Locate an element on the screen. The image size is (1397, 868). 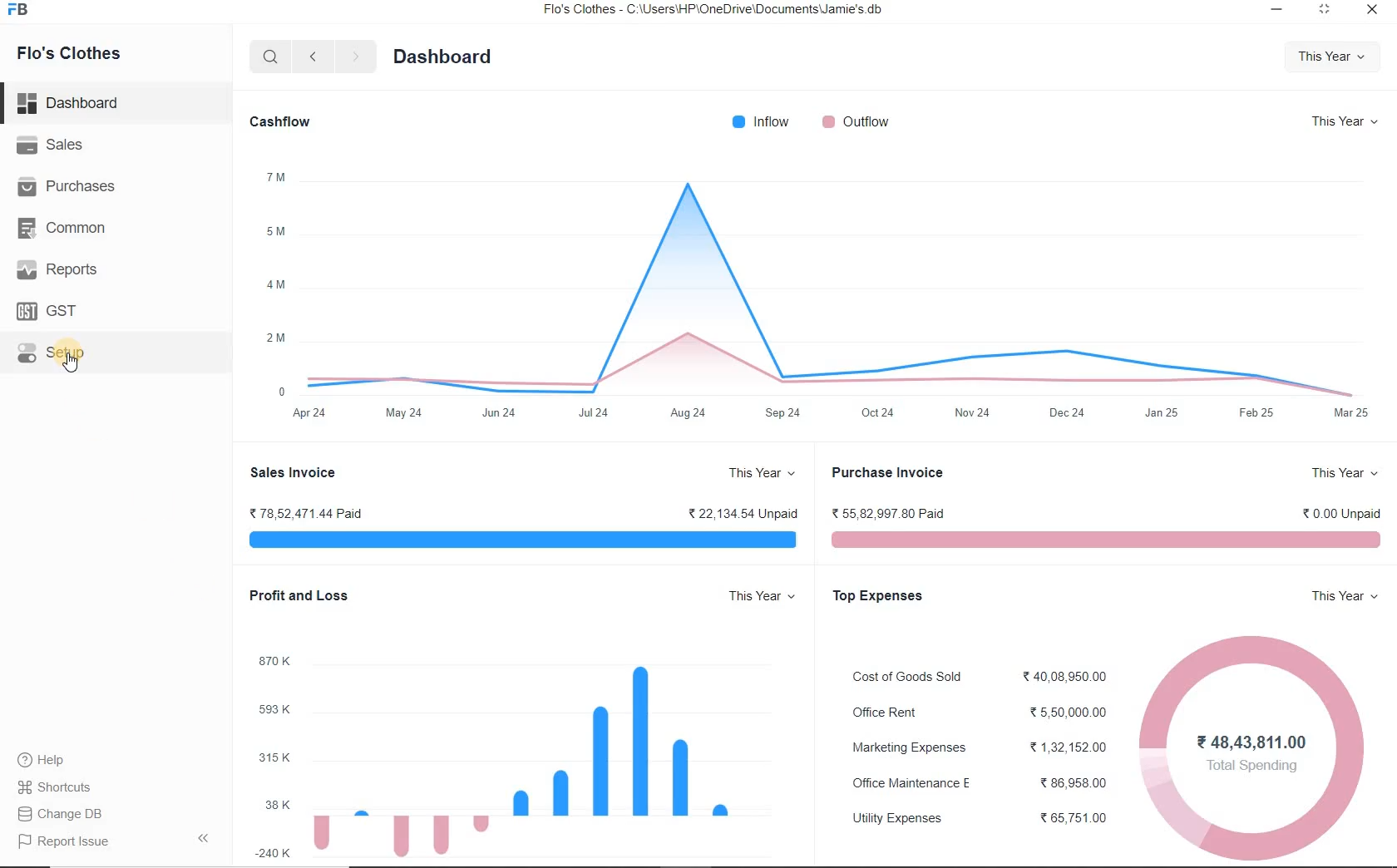
Change DB is located at coordinates (66, 787).